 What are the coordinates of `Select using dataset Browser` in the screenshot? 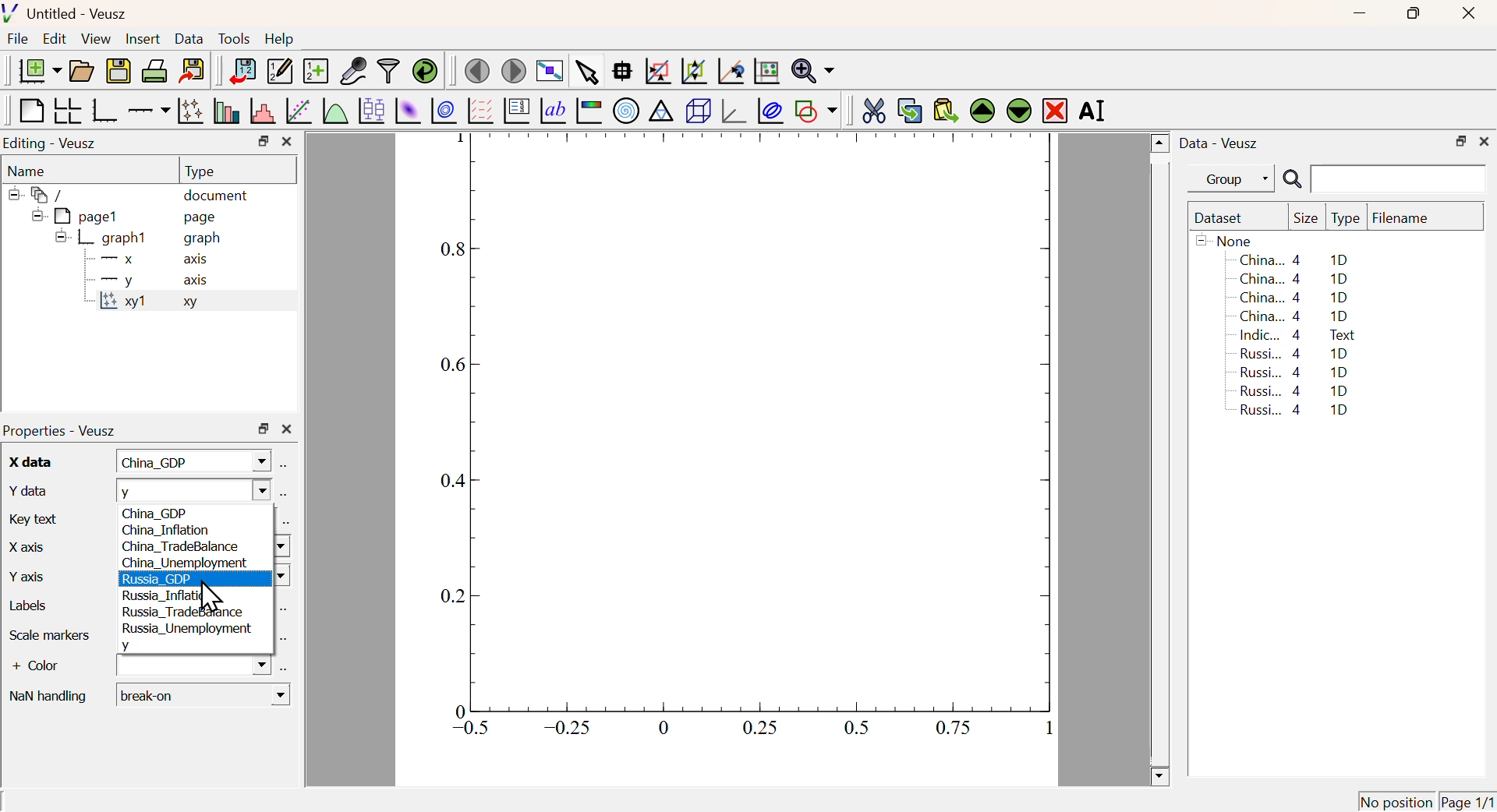 It's located at (285, 495).